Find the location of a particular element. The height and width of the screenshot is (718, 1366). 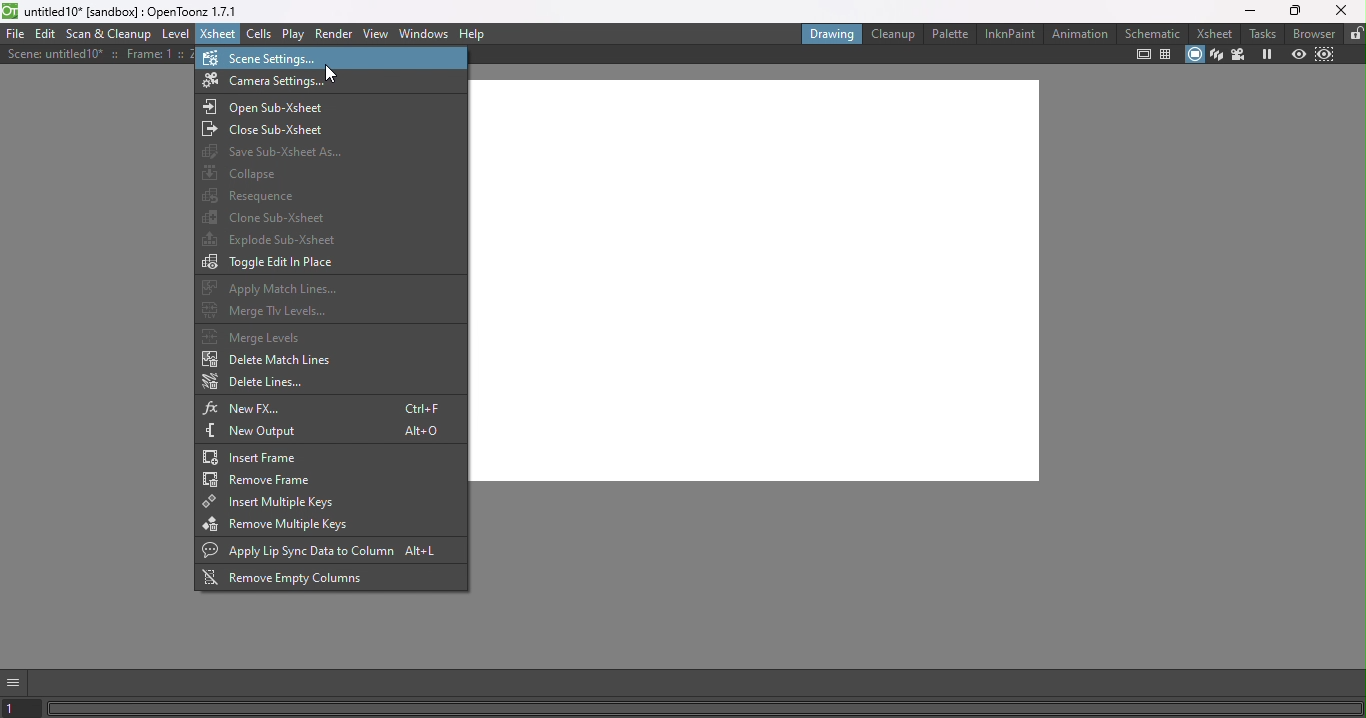

Remove multiple keys is located at coordinates (279, 524).